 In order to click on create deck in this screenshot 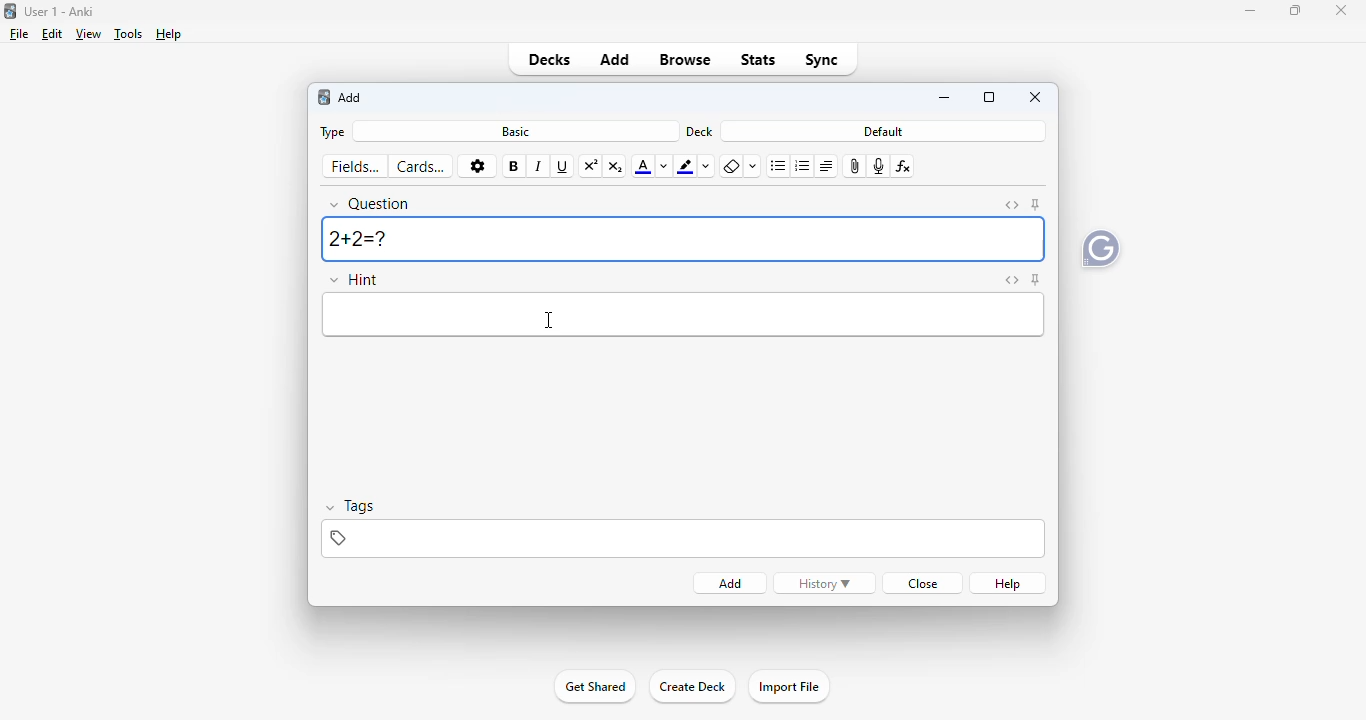, I will do `click(692, 687)`.